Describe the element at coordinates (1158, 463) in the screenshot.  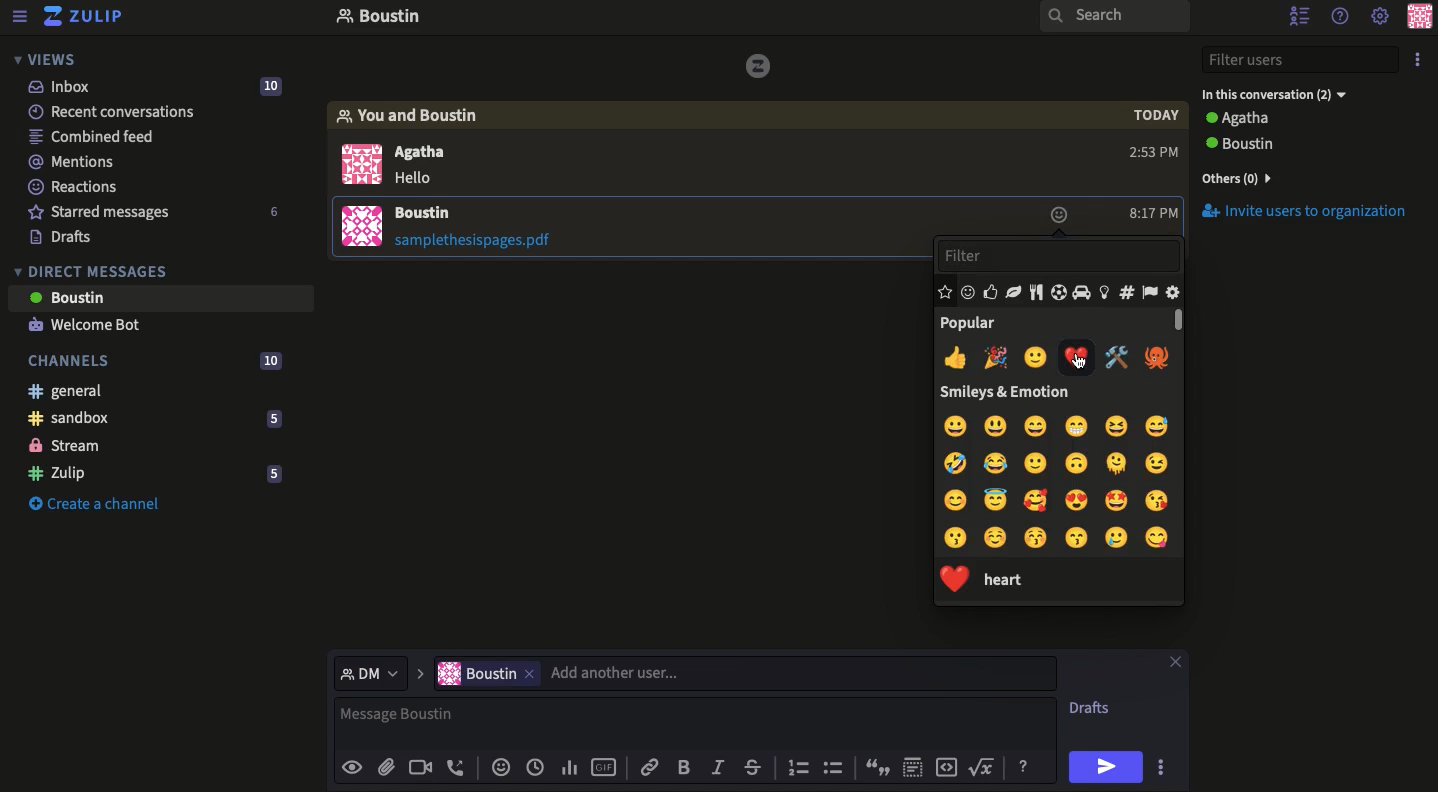
I see `wink` at that location.